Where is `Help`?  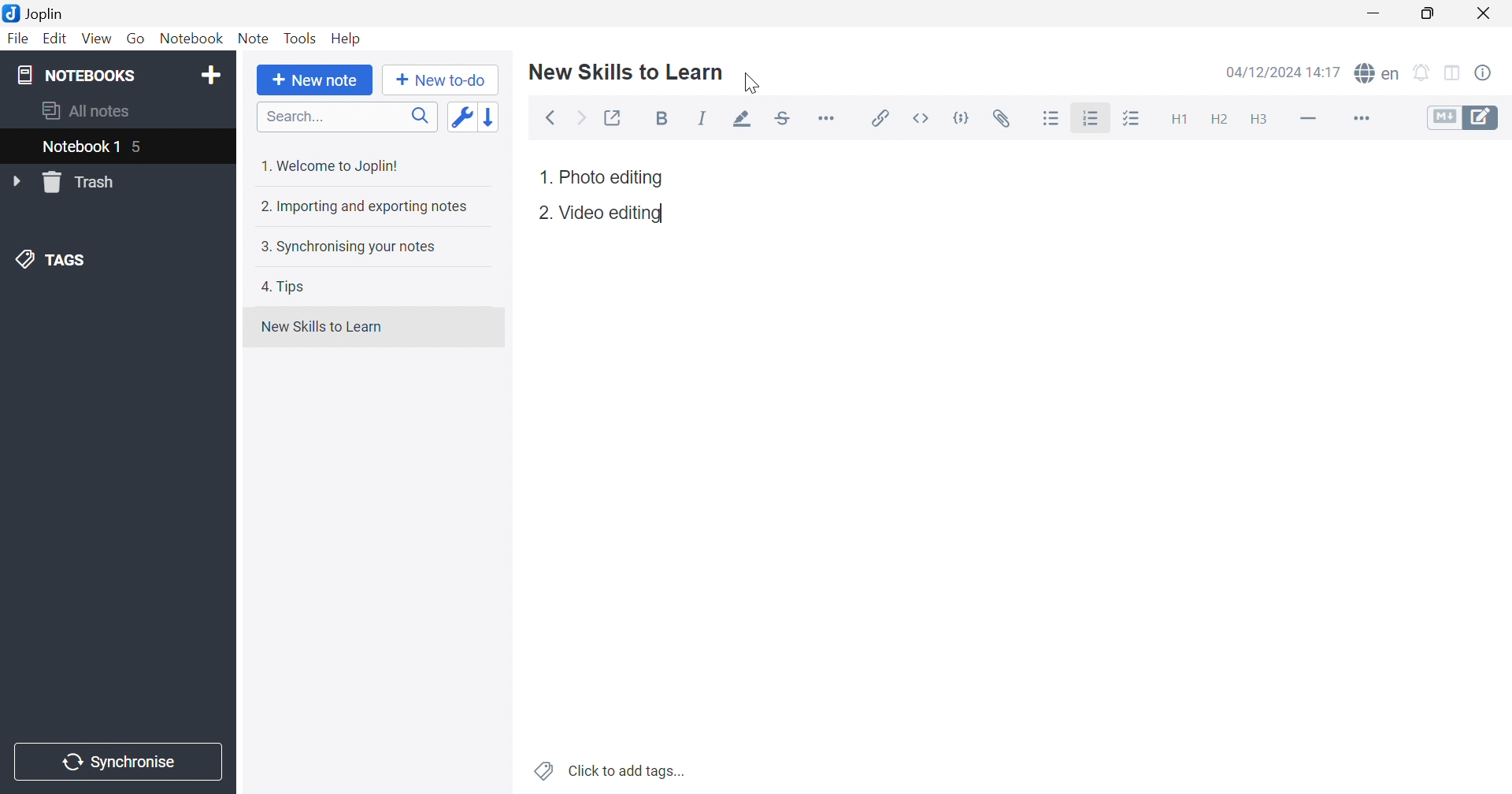
Help is located at coordinates (347, 39).